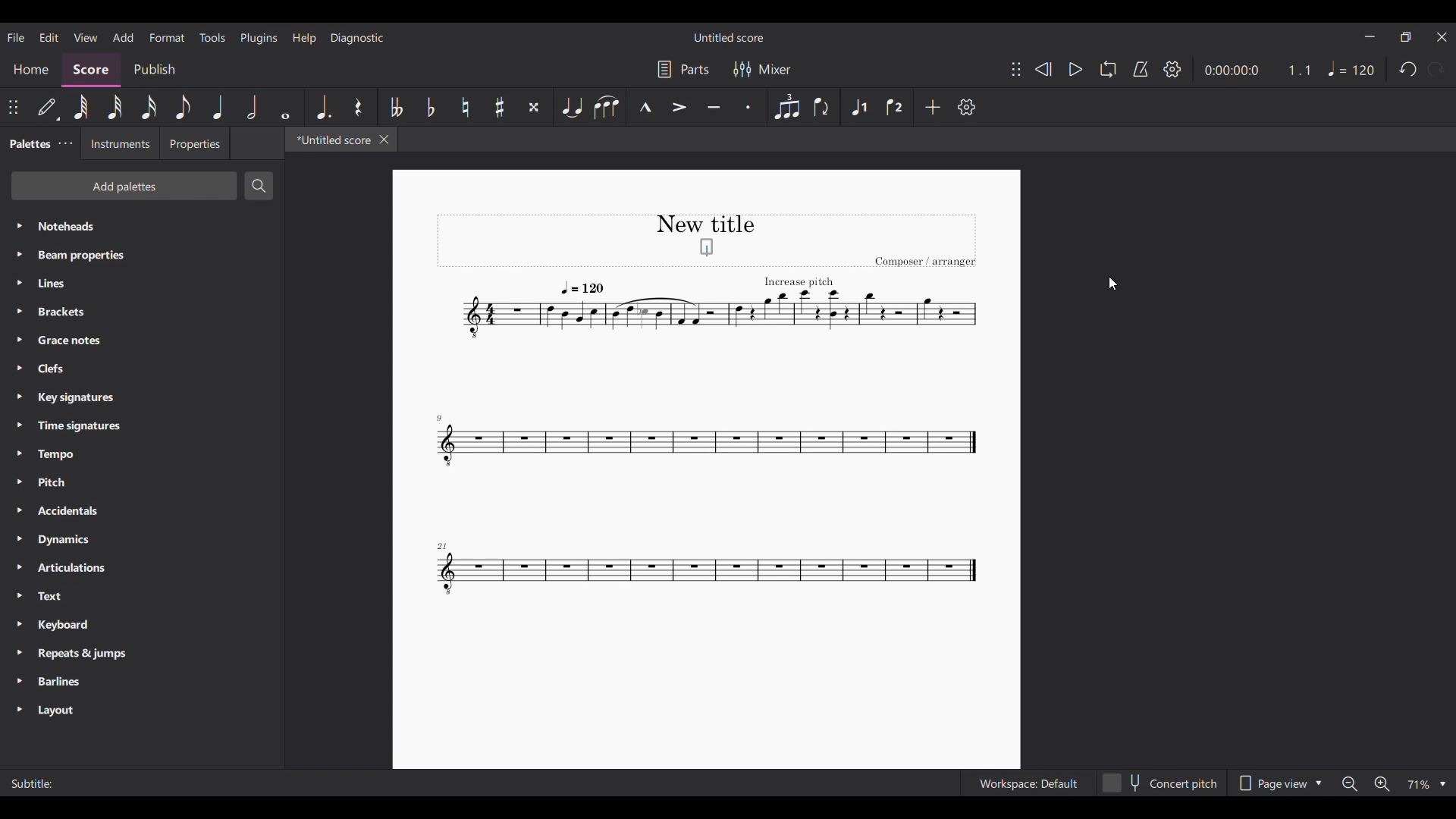 This screenshot has height=819, width=1456. I want to click on Tempo, so click(142, 454).